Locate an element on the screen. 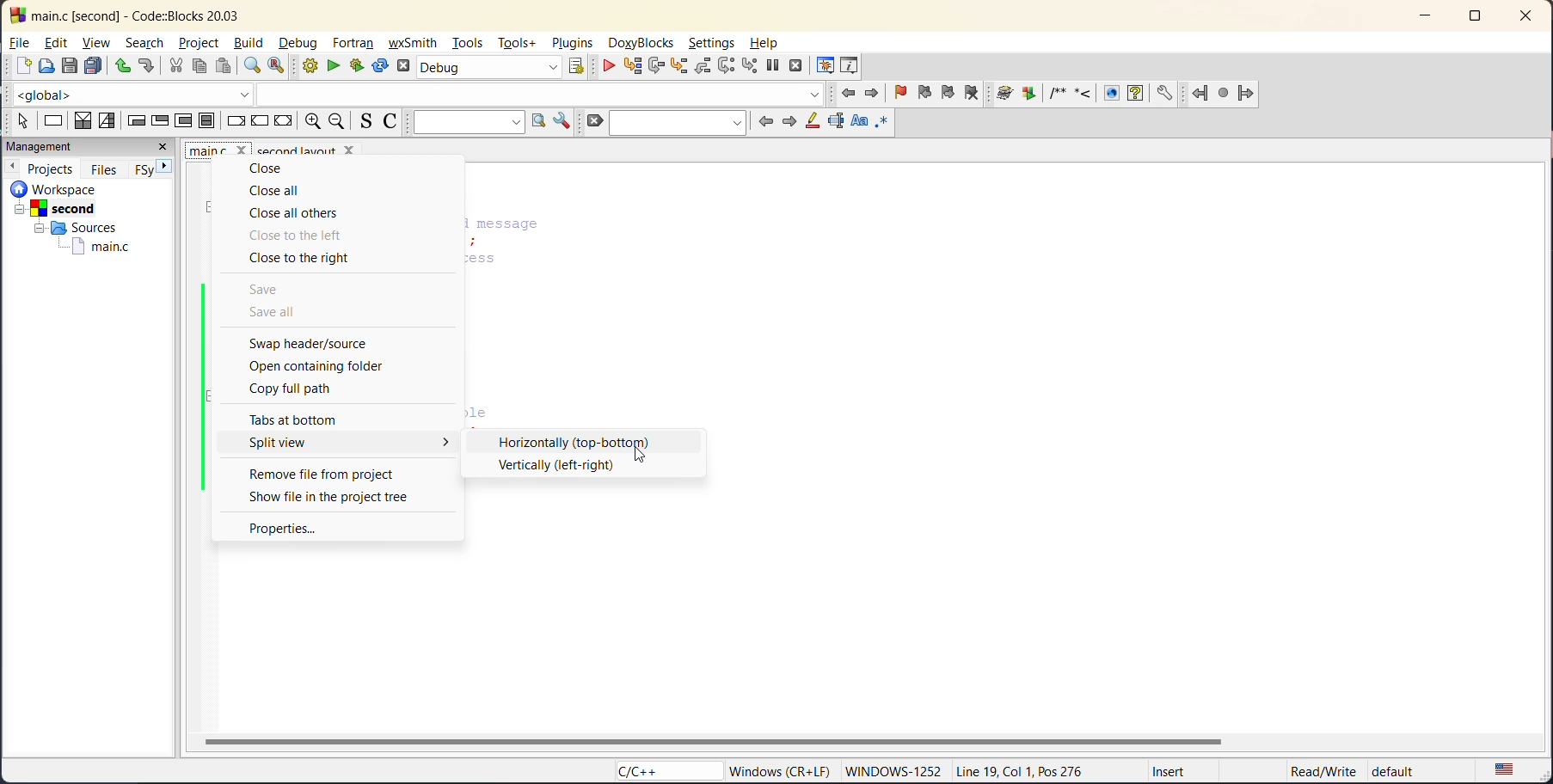 This screenshot has height=784, width=1553. wxsmith is located at coordinates (411, 43).